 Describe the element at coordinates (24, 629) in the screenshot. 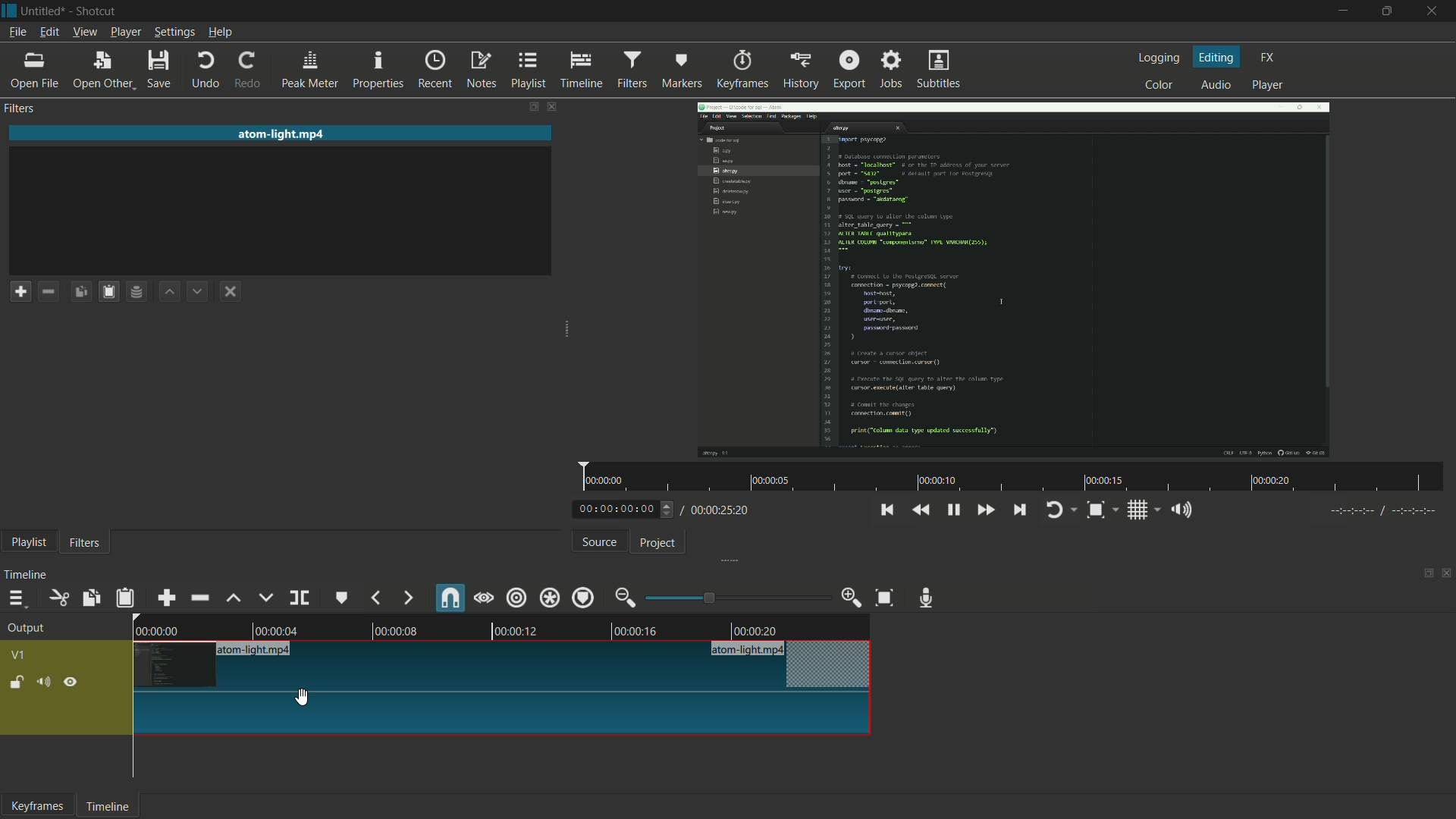

I see `output` at that location.